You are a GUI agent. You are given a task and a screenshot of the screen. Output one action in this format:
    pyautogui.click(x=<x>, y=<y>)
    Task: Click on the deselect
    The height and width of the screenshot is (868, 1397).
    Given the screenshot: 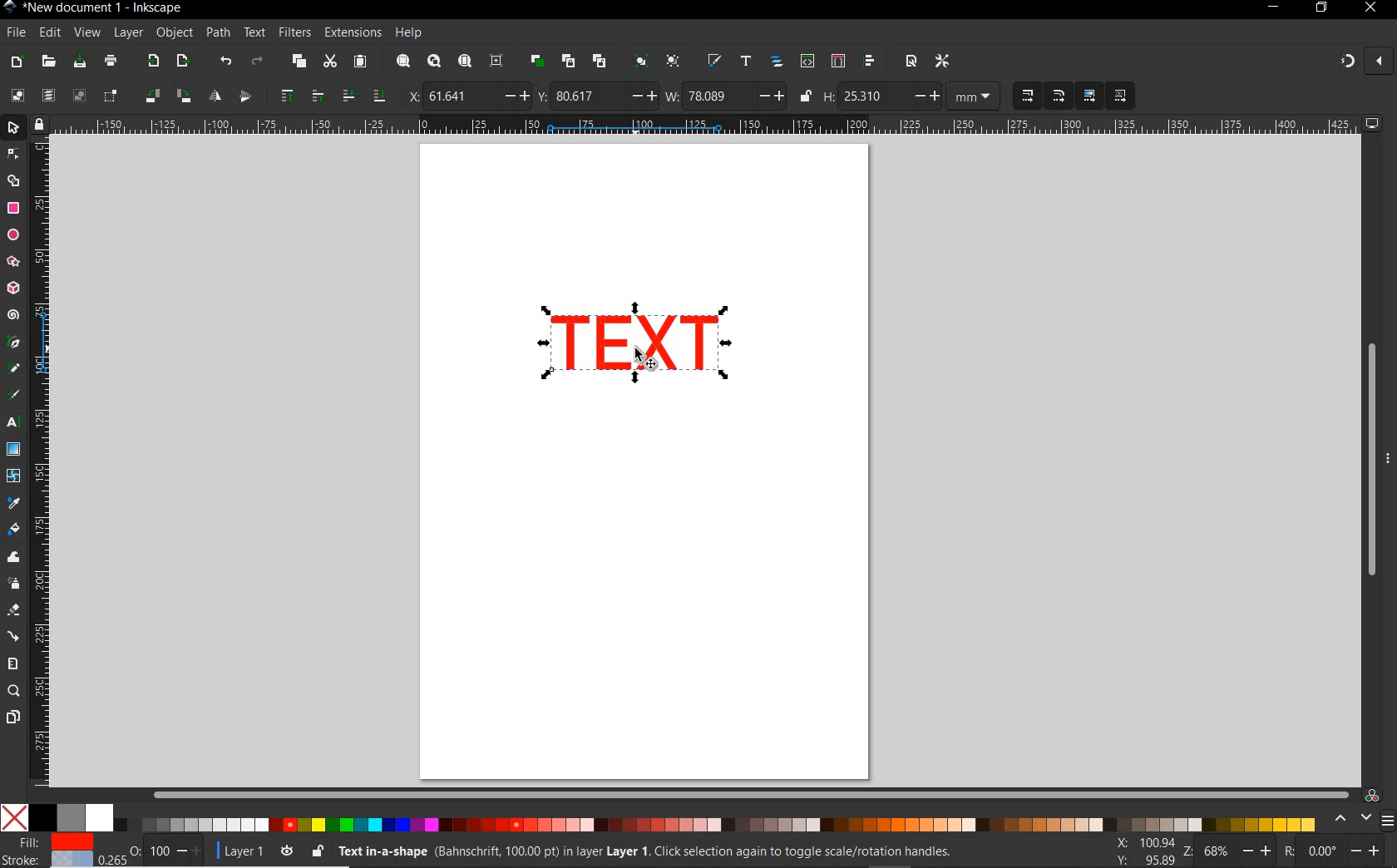 What is the action you would take?
    pyautogui.click(x=77, y=96)
    